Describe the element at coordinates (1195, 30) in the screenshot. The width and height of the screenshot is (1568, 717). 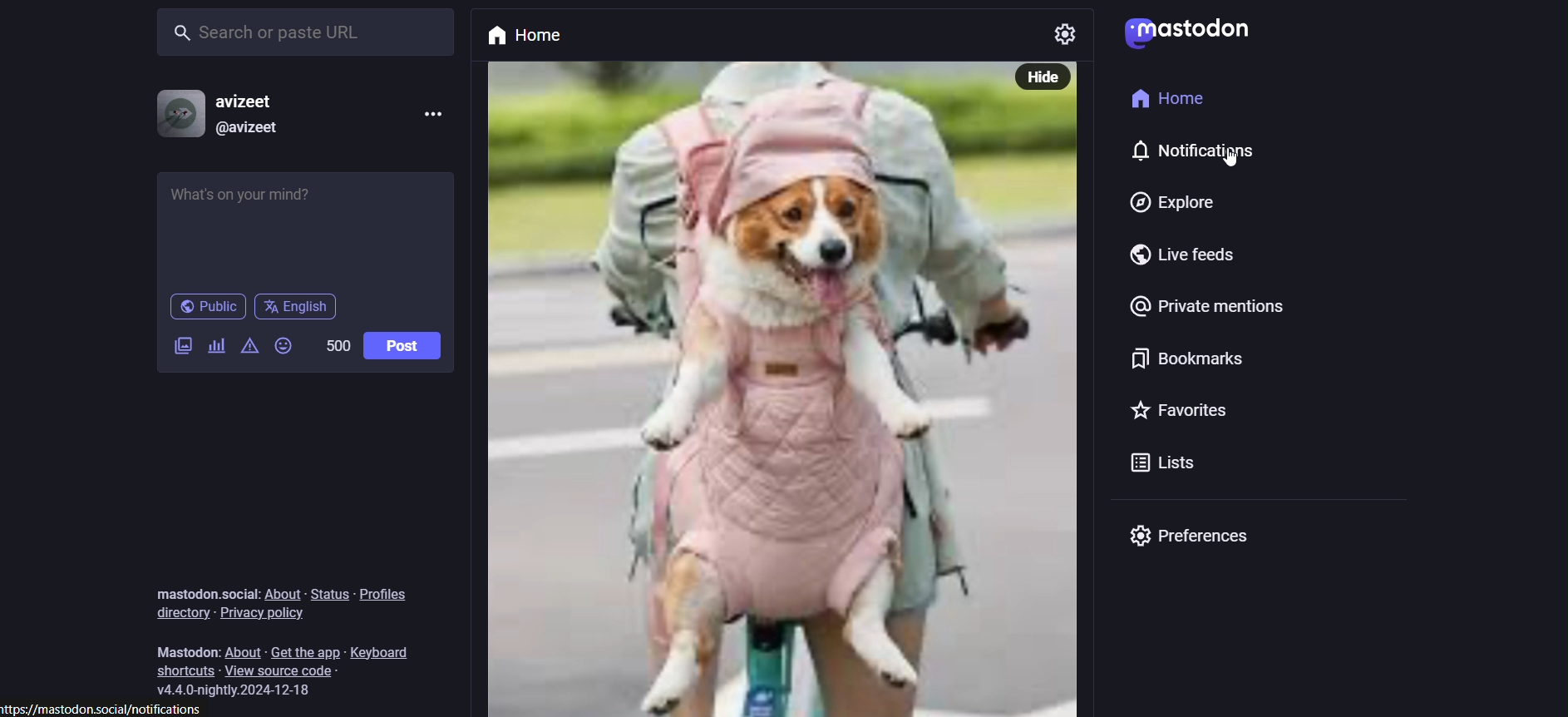
I see `mastodon` at that location.